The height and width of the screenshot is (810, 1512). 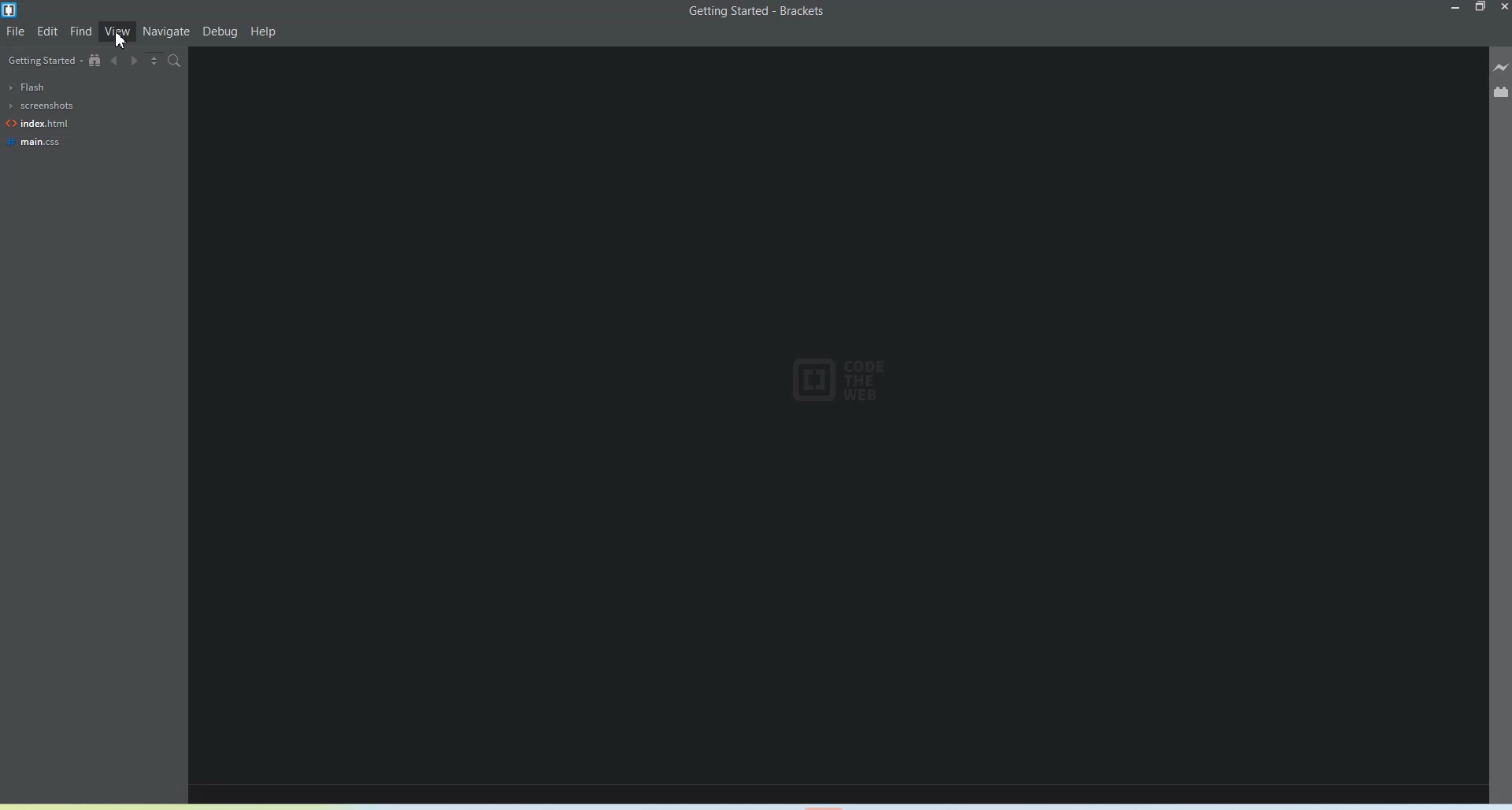 I want to click on Getting Started, so click(x=43, y=61).